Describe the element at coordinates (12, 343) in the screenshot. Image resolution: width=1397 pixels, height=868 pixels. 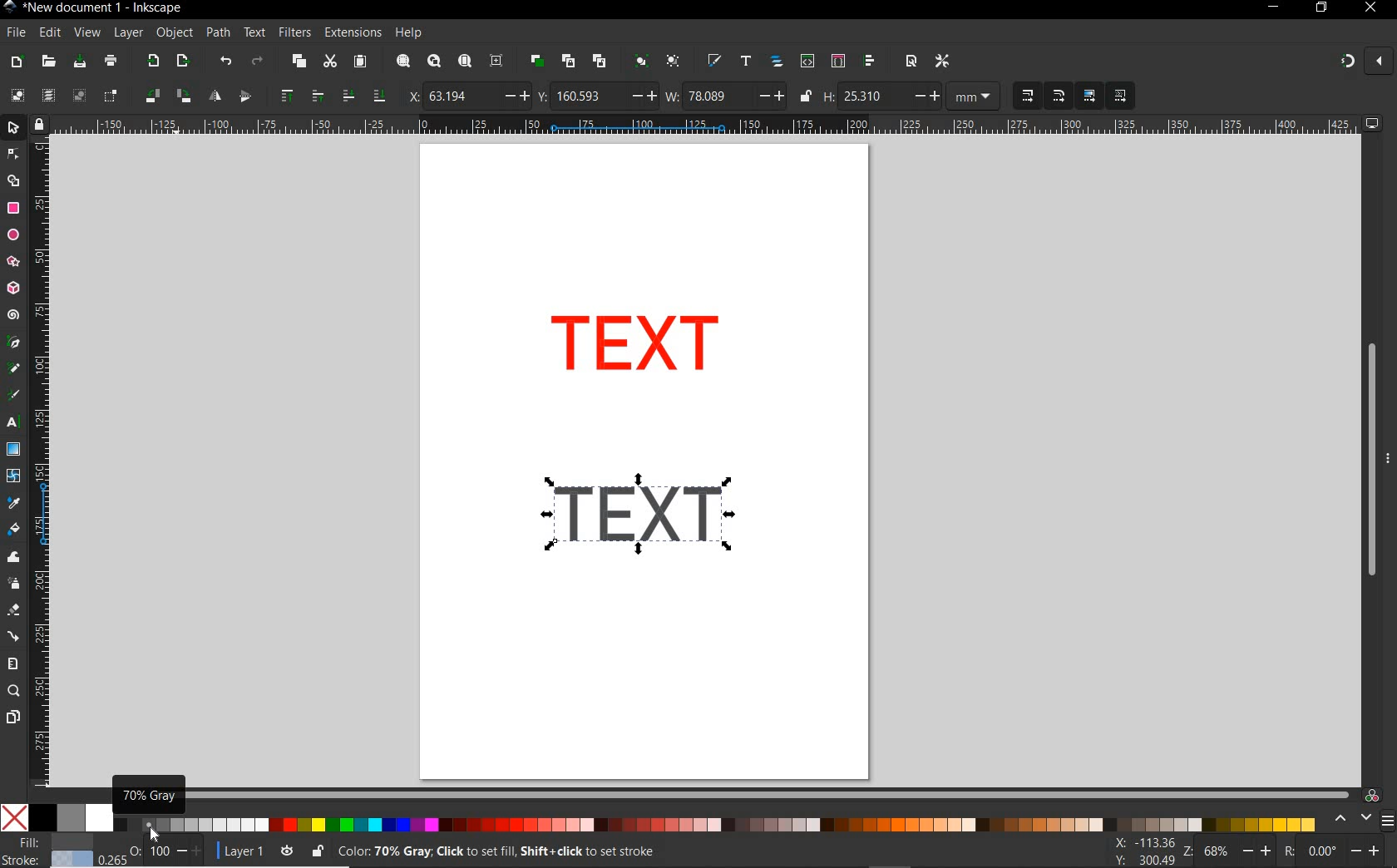
I see `pen tool` at that location.